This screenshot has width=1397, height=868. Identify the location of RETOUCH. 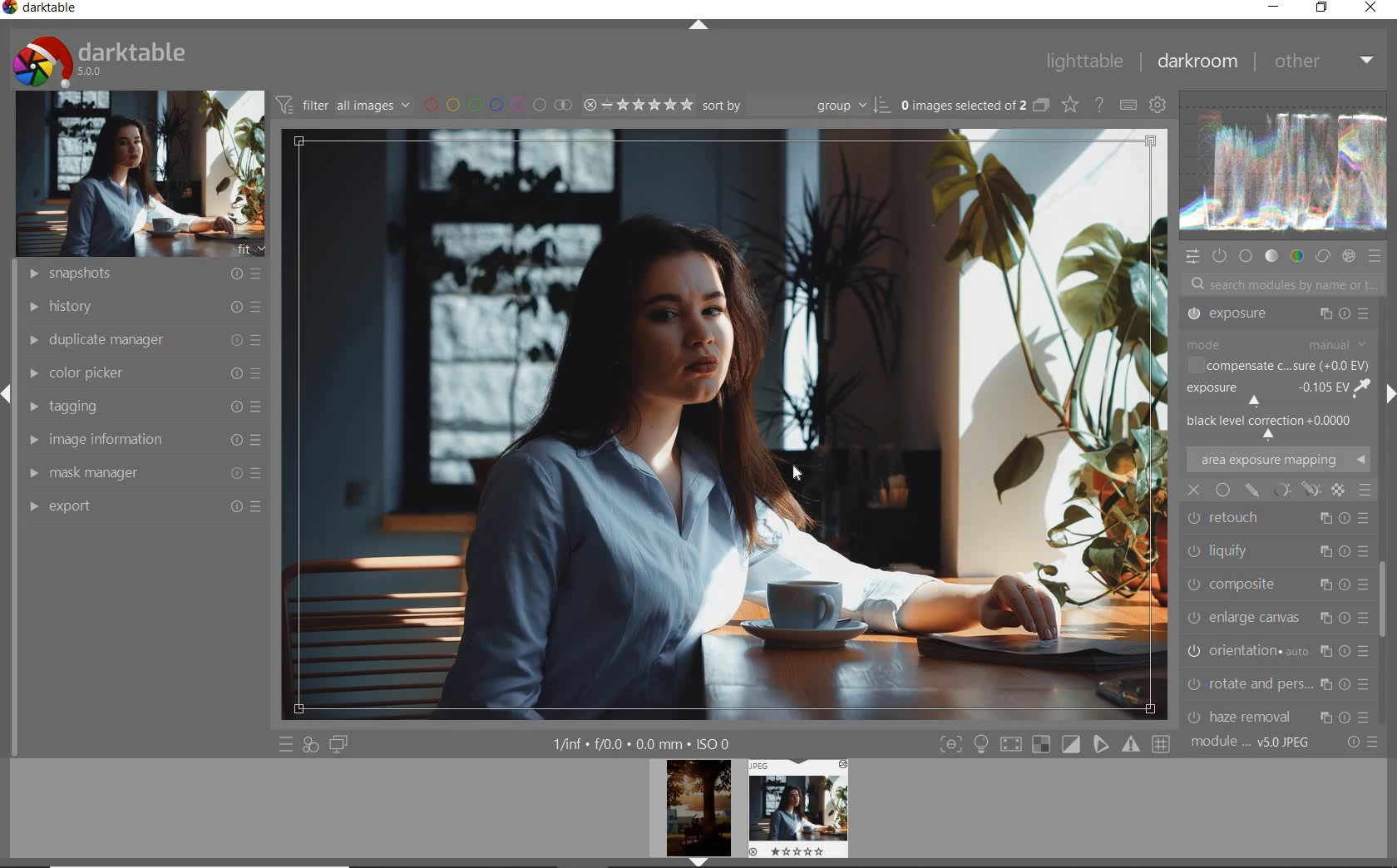
(1276, 420).